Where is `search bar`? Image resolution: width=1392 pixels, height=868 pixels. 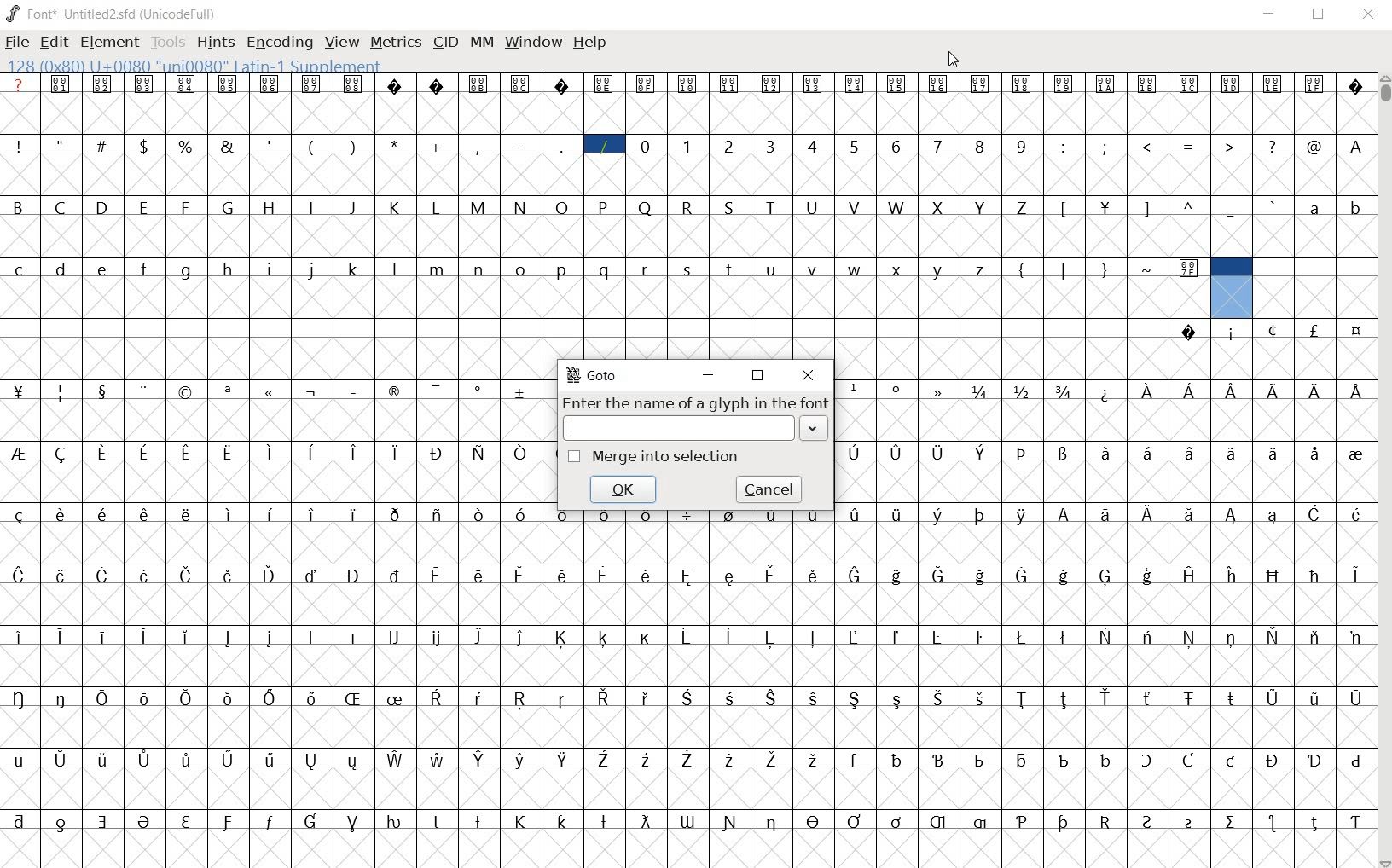
search bar is located at coordinates (681, 429).